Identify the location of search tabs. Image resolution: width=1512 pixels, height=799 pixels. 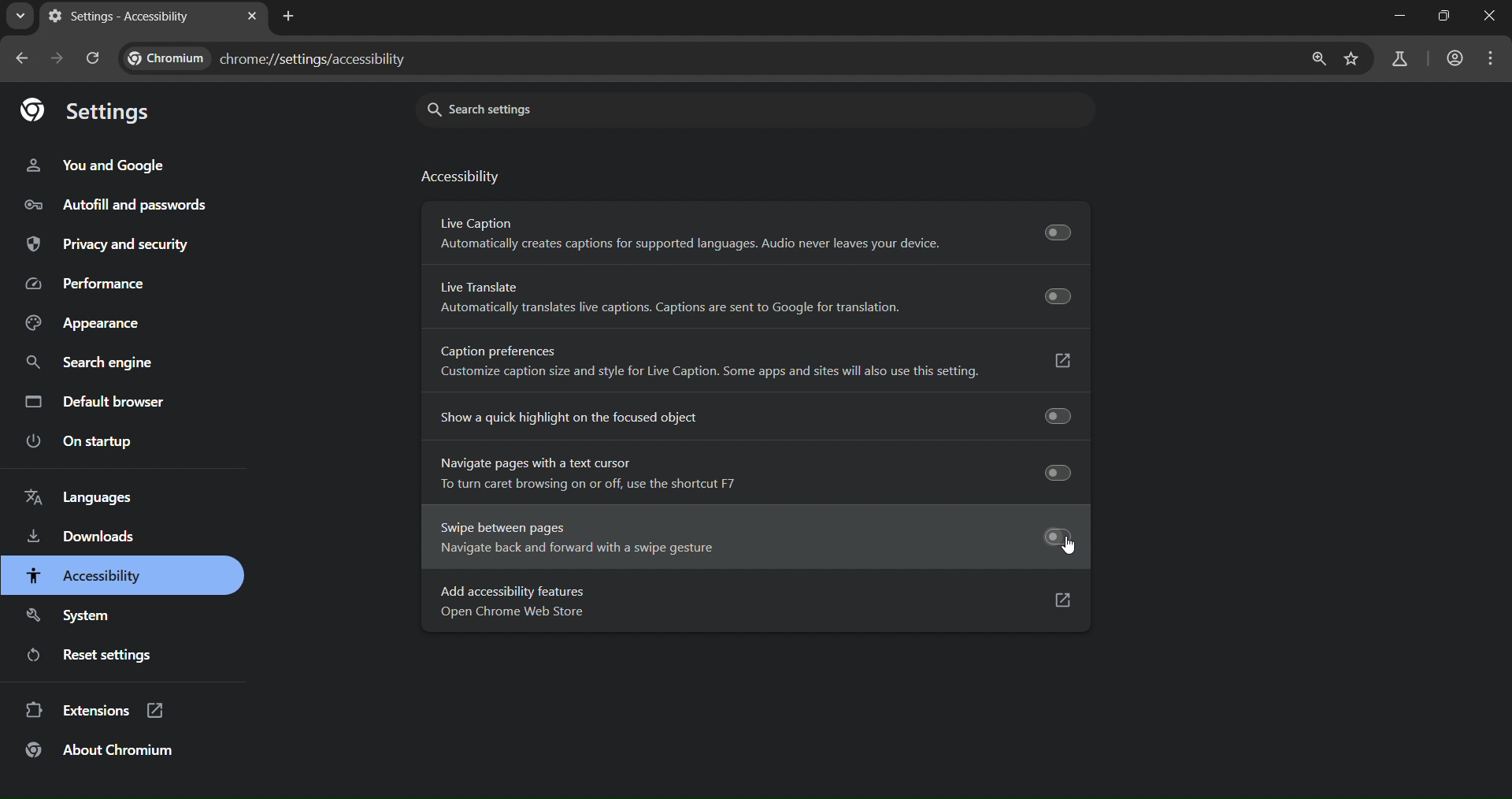
(18, 18).